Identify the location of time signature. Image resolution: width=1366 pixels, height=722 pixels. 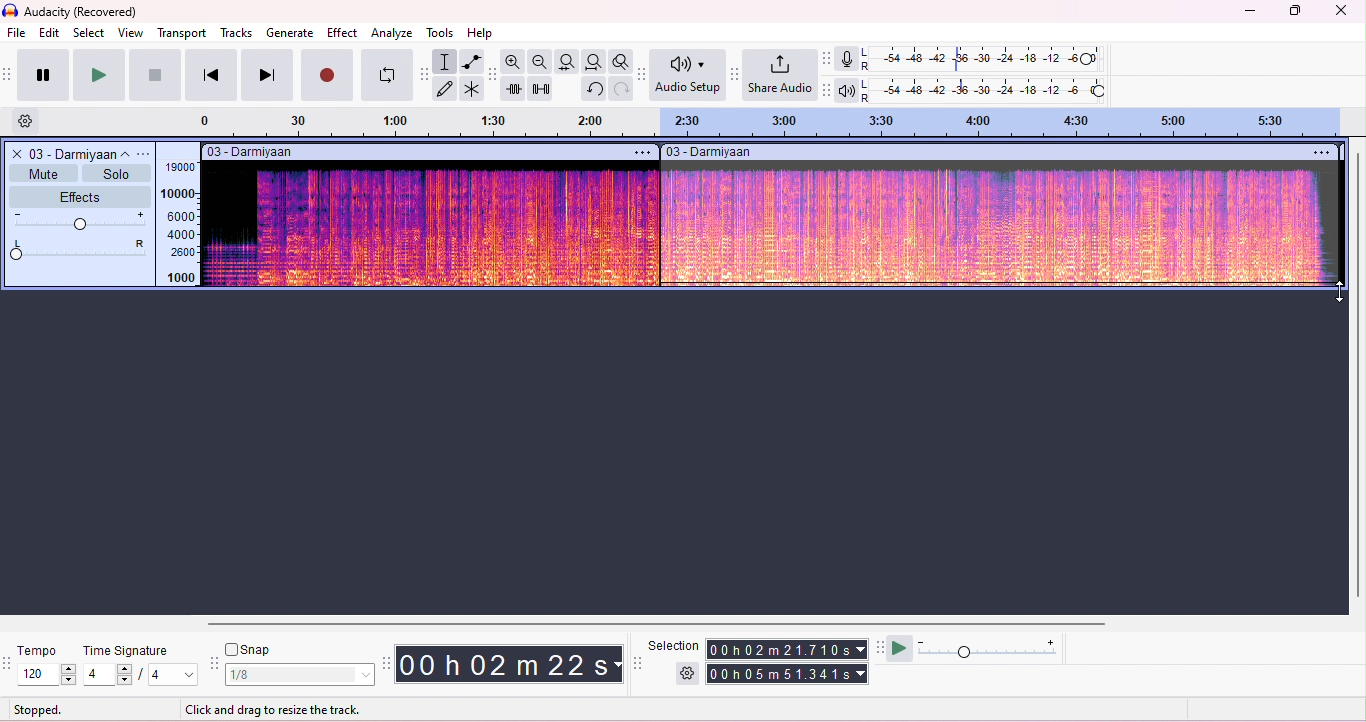
(129, 651).